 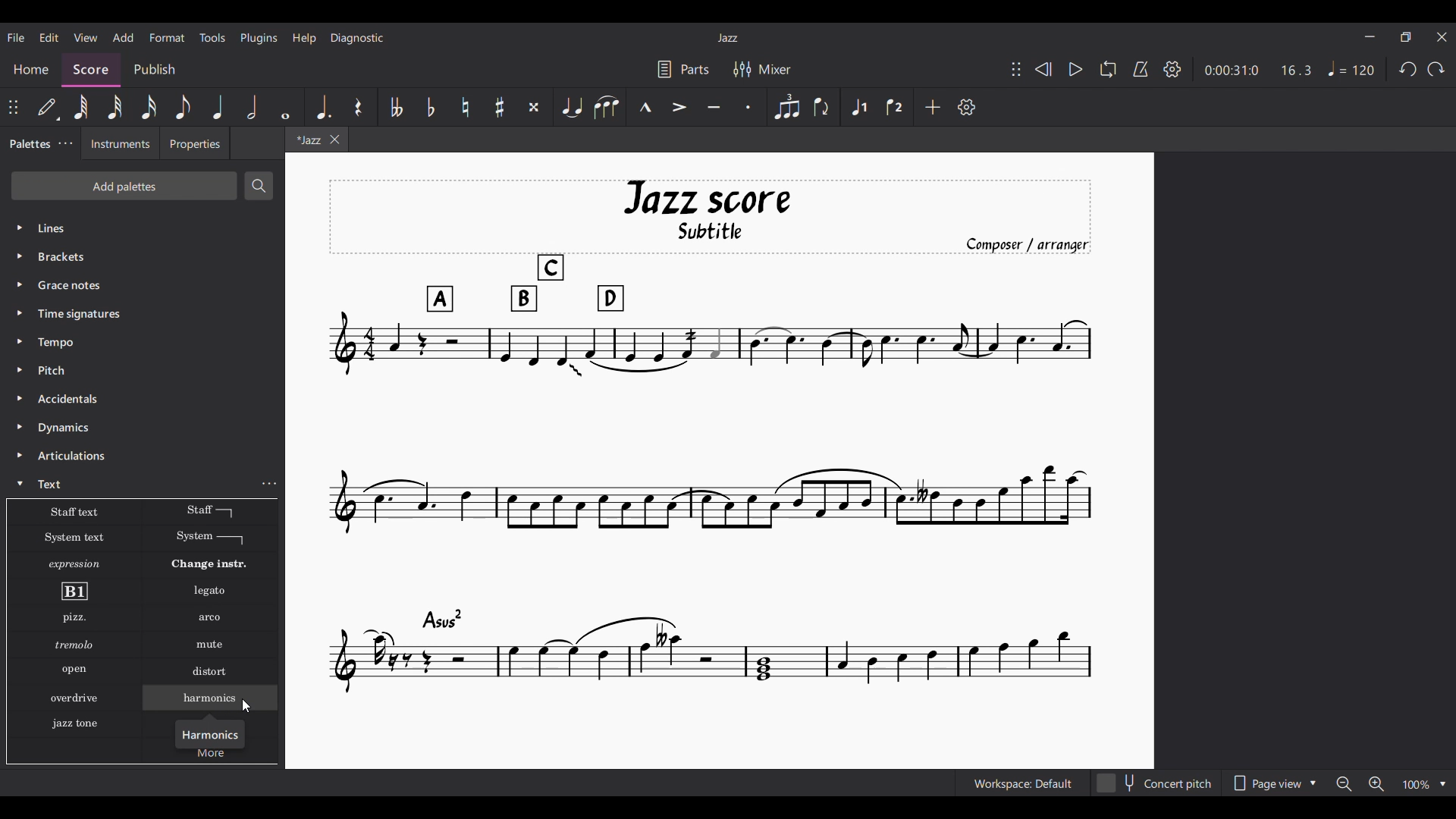 I want to click on Loop playback, so click(x=1109, y=69).